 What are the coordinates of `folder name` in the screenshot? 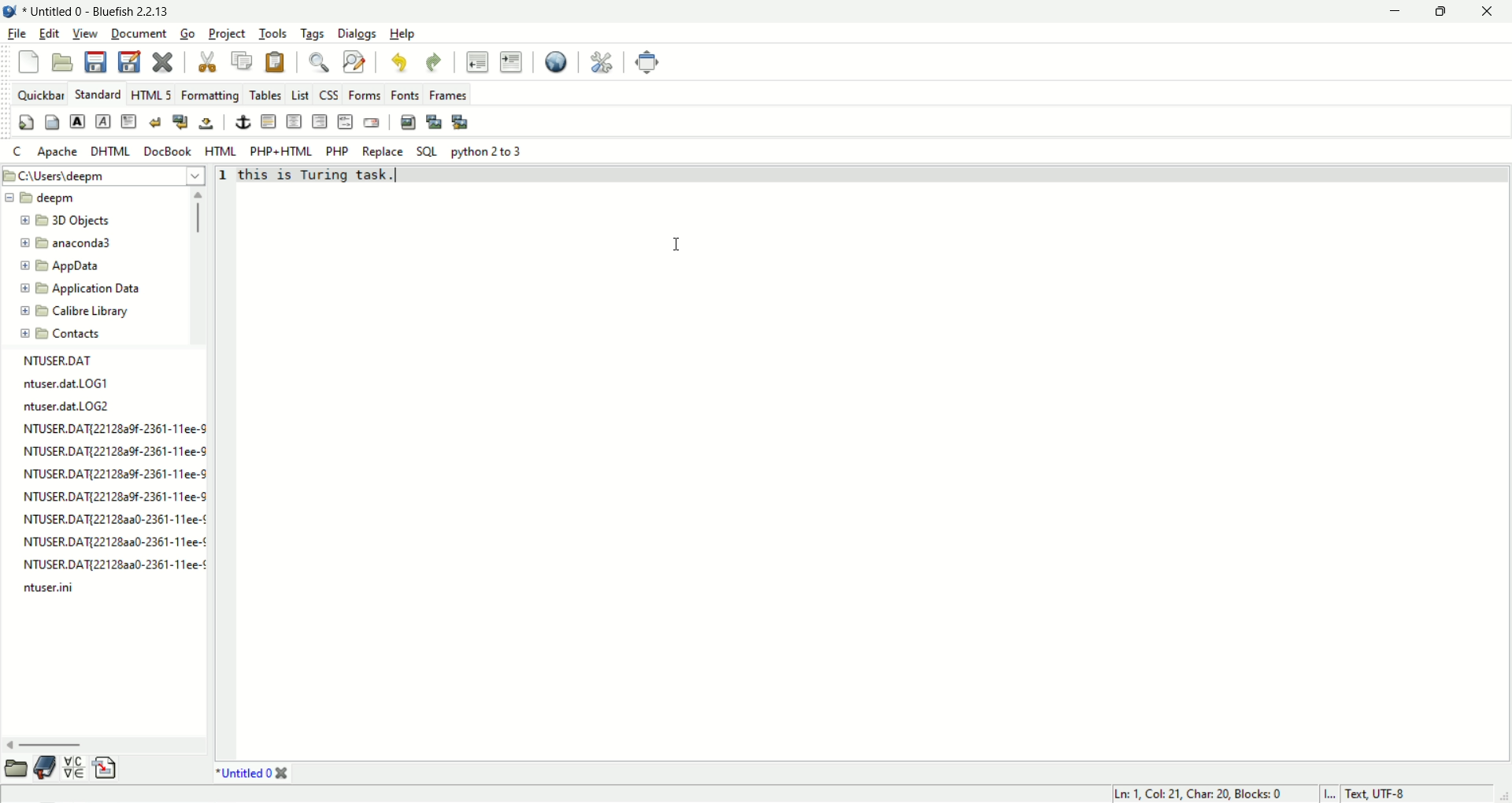 It's located at (74, 332).